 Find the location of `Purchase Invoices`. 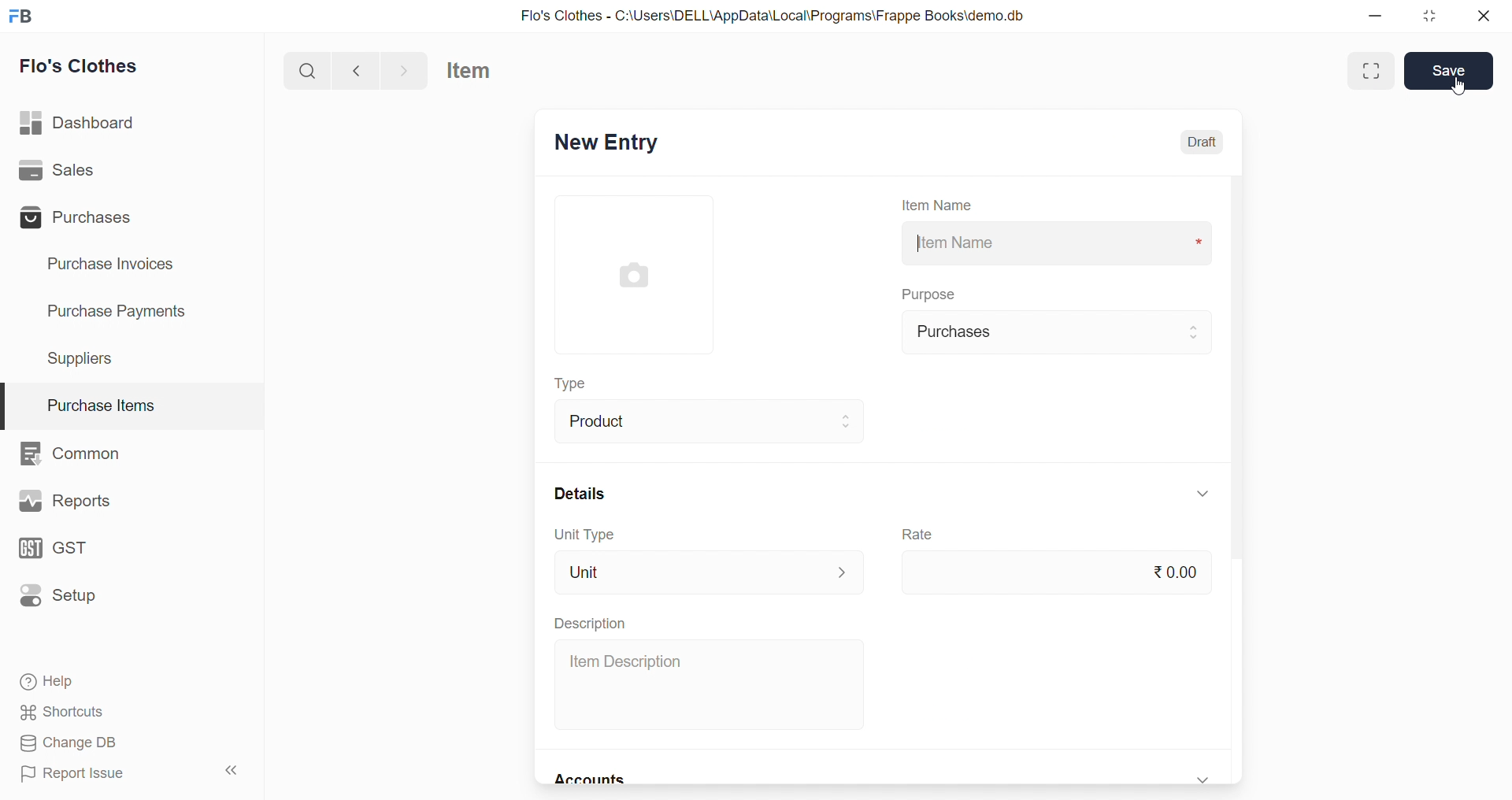

Purchase Invoices is located at coordinates (121, 265).